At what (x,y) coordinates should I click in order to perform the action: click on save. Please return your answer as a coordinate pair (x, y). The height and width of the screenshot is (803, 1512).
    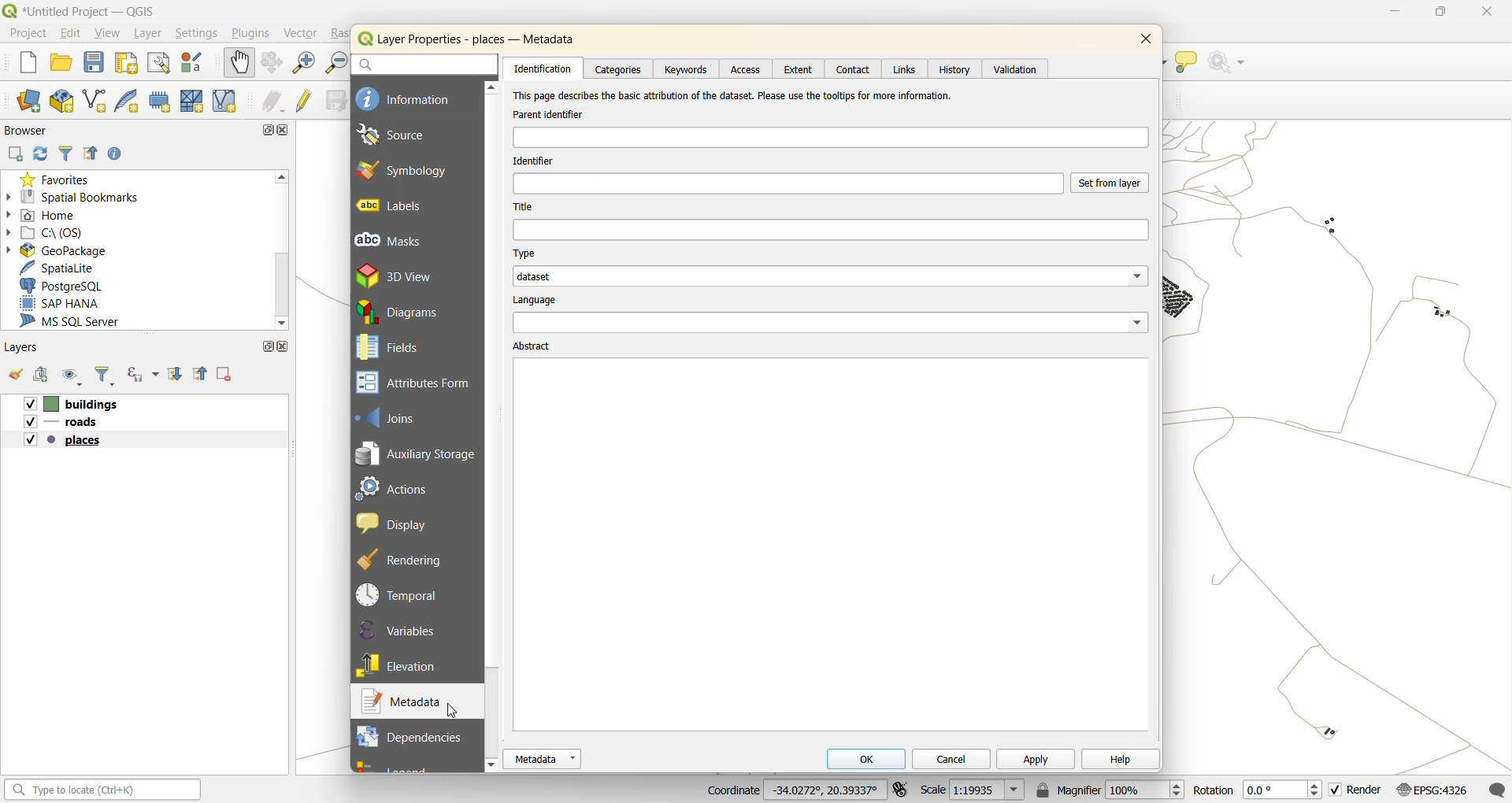
    Looking at the image, I should click on (94, 66).